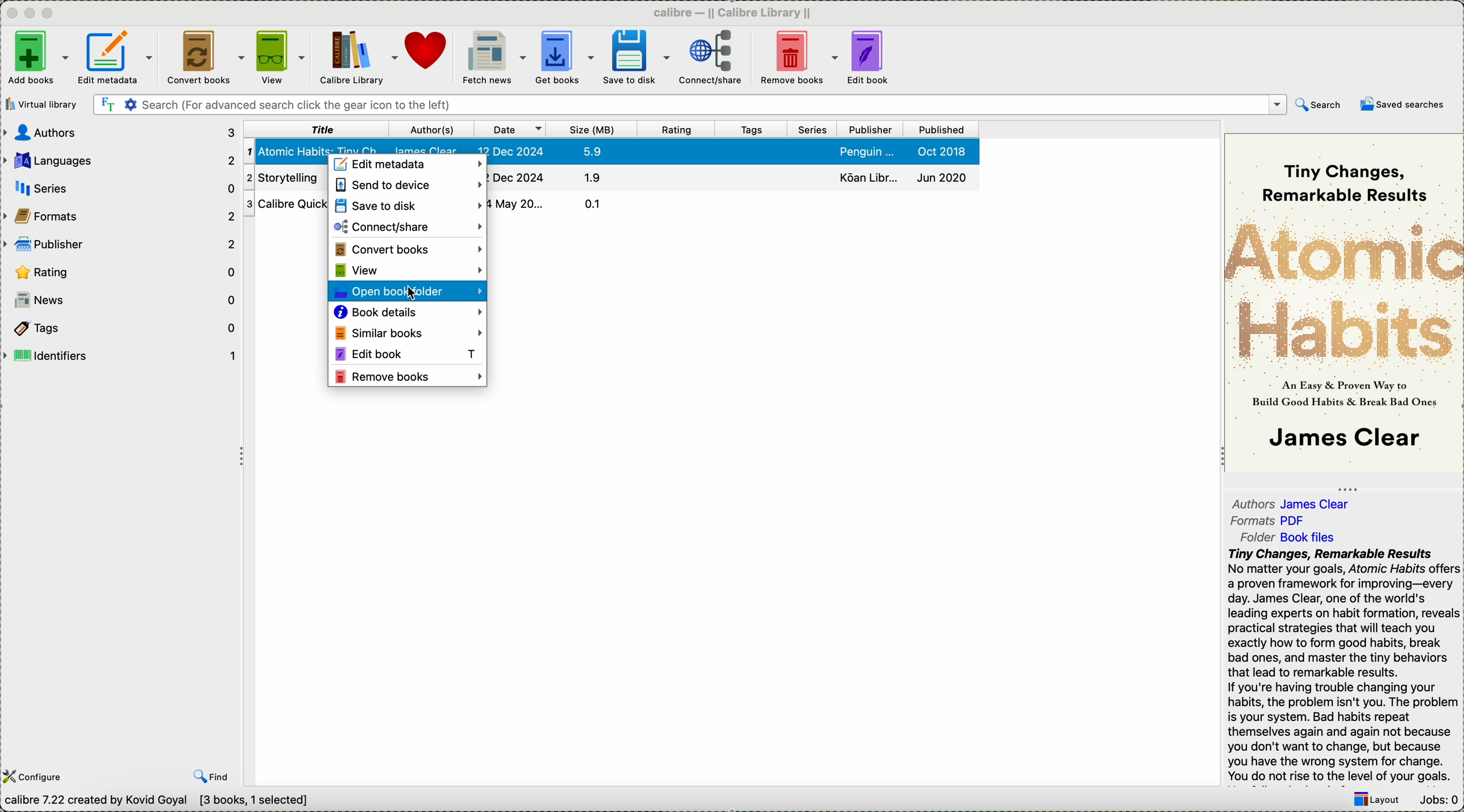 The image size is (1464, 812). Describe the element at coordinates (1319, 107) in the screenshot. I see `search` at that location.